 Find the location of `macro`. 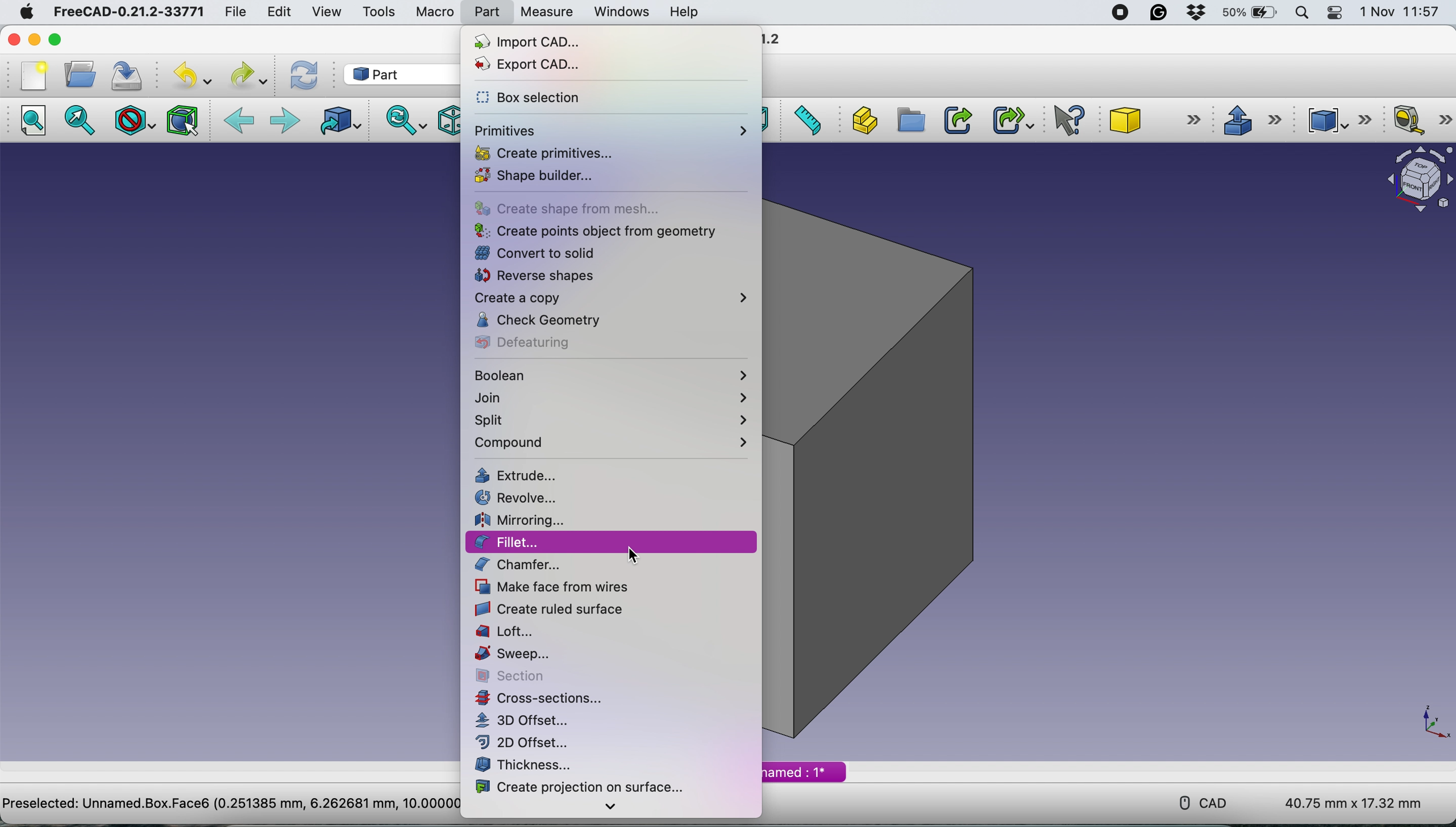

macro is located at coordinates (434, 11).